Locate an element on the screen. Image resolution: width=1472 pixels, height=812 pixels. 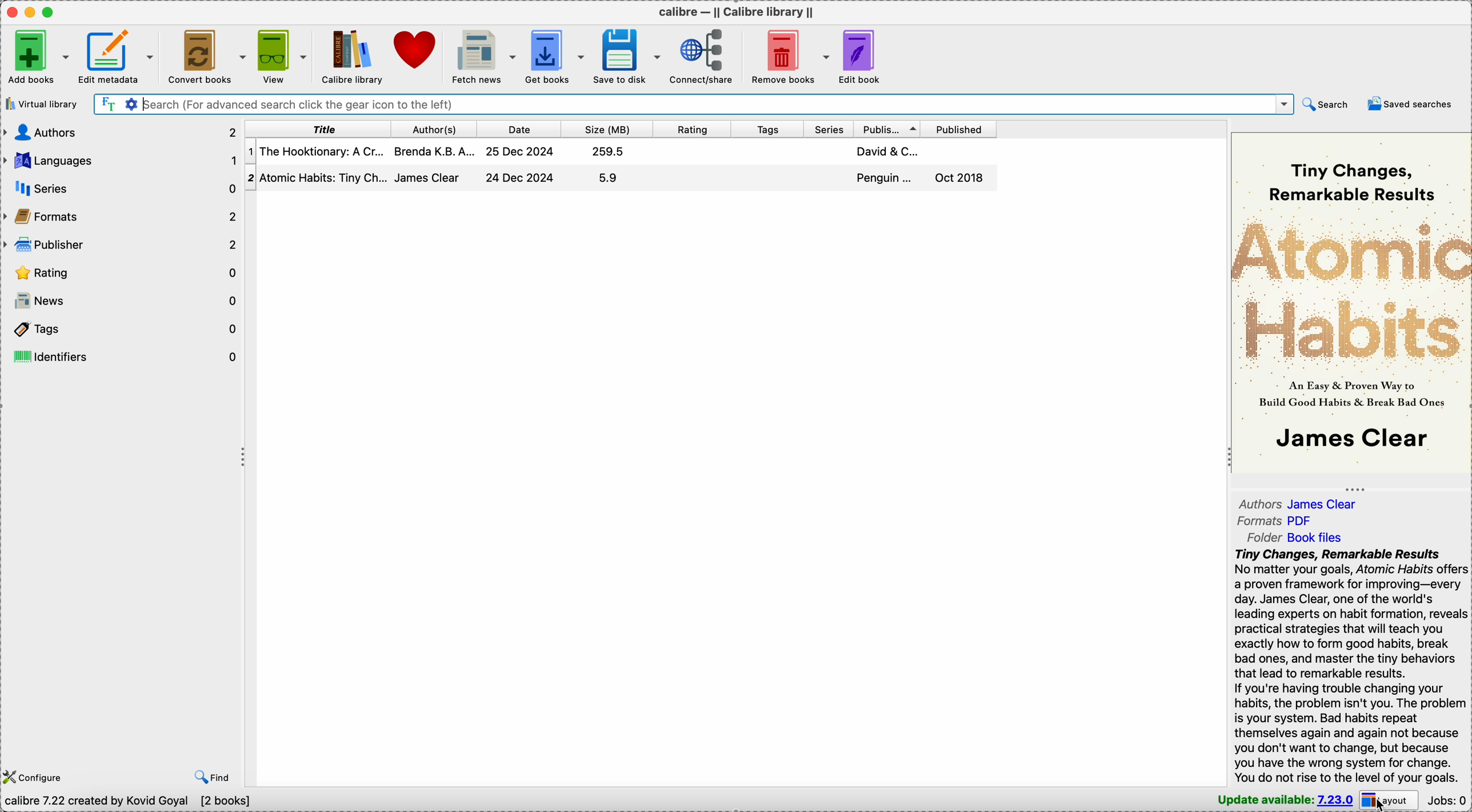
publisher is located at coordinates (122, 247).